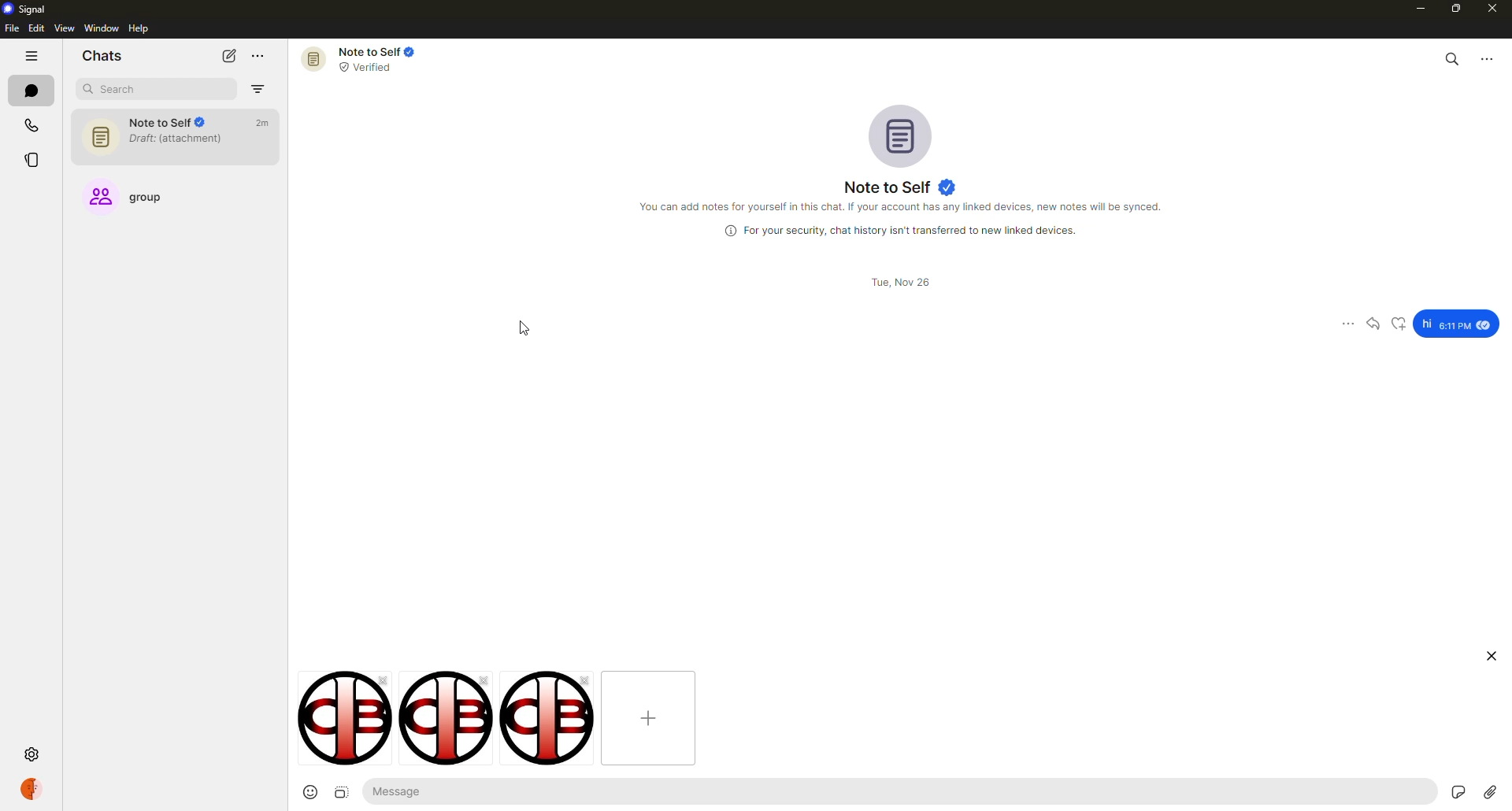 This screenshot has height=811, width=1512. I want to click on note to self, so click(364, 57).